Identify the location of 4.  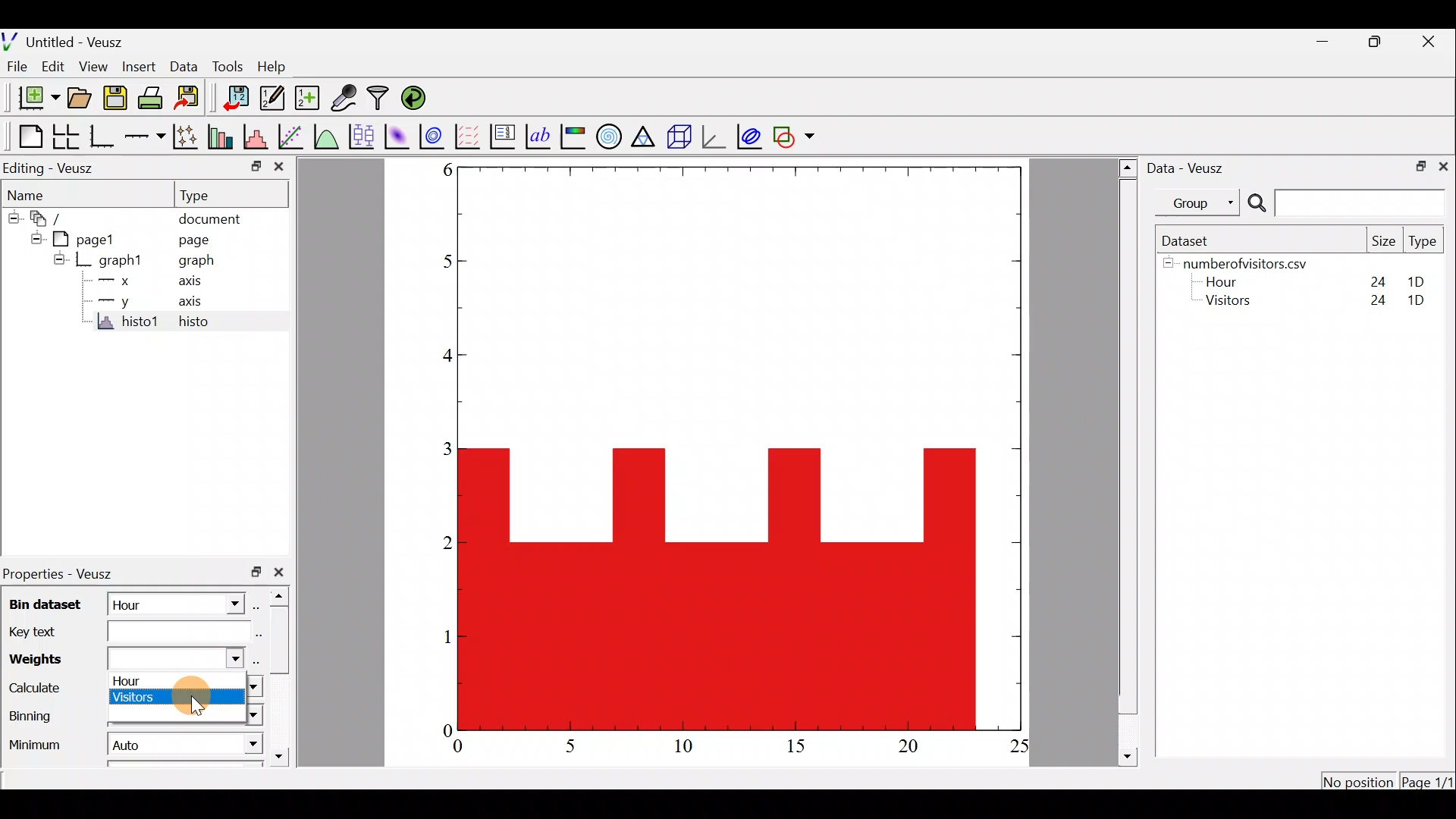
(432, 359).